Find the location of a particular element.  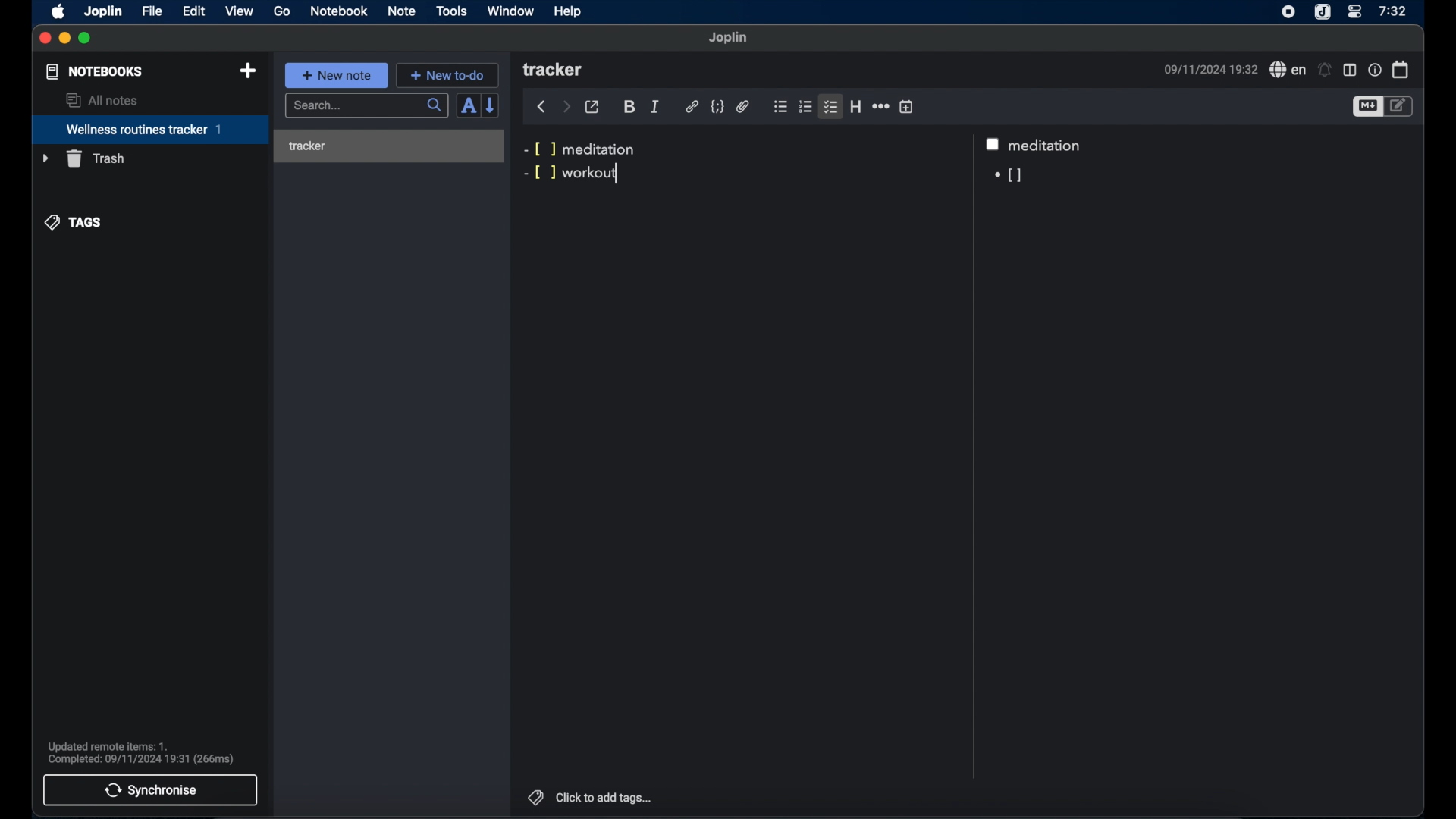

set alarms is located at coordinates (1325, 70).